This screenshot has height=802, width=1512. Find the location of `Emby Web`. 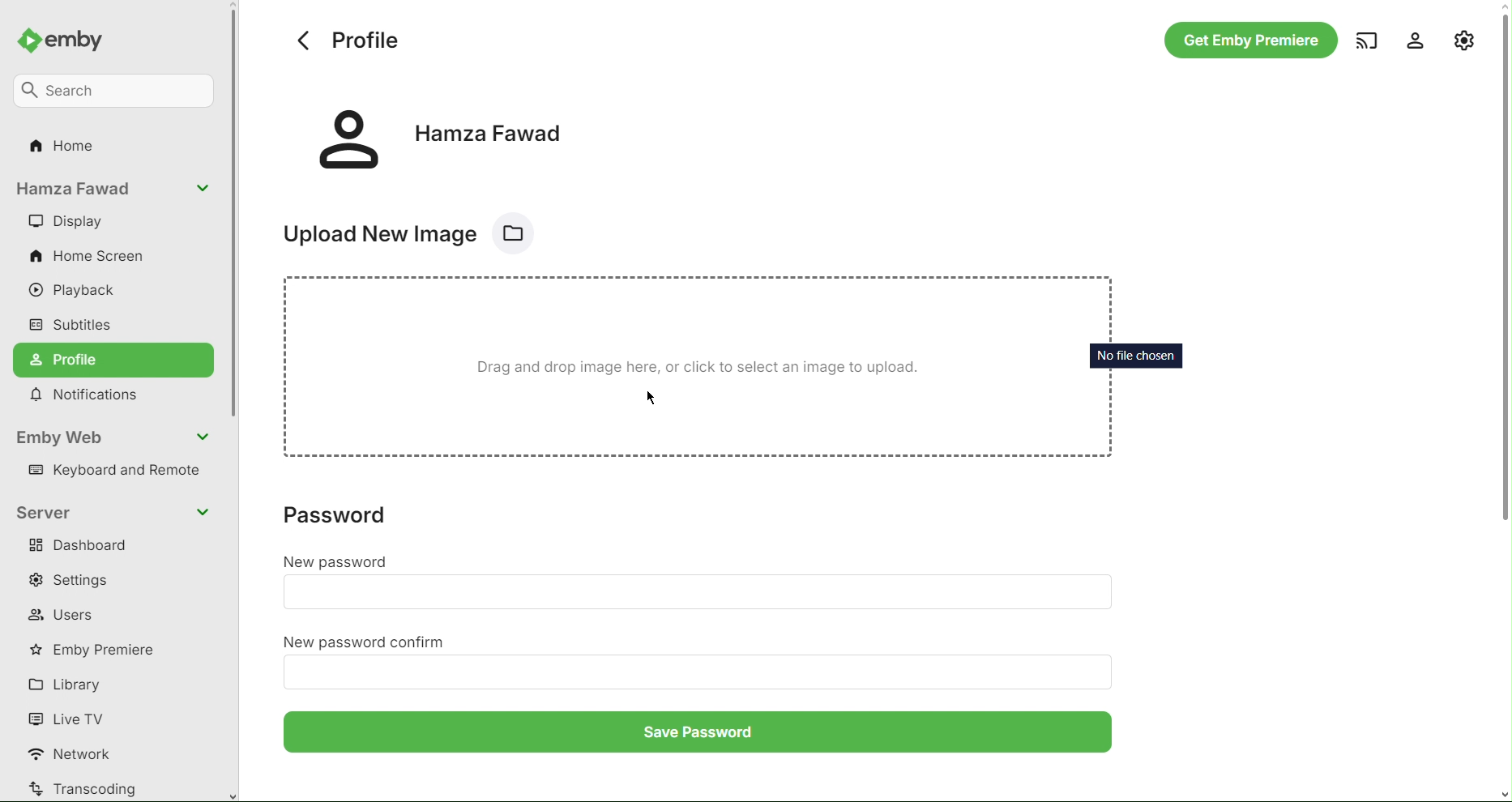

Emby Web is located at coordinates (115, 437).